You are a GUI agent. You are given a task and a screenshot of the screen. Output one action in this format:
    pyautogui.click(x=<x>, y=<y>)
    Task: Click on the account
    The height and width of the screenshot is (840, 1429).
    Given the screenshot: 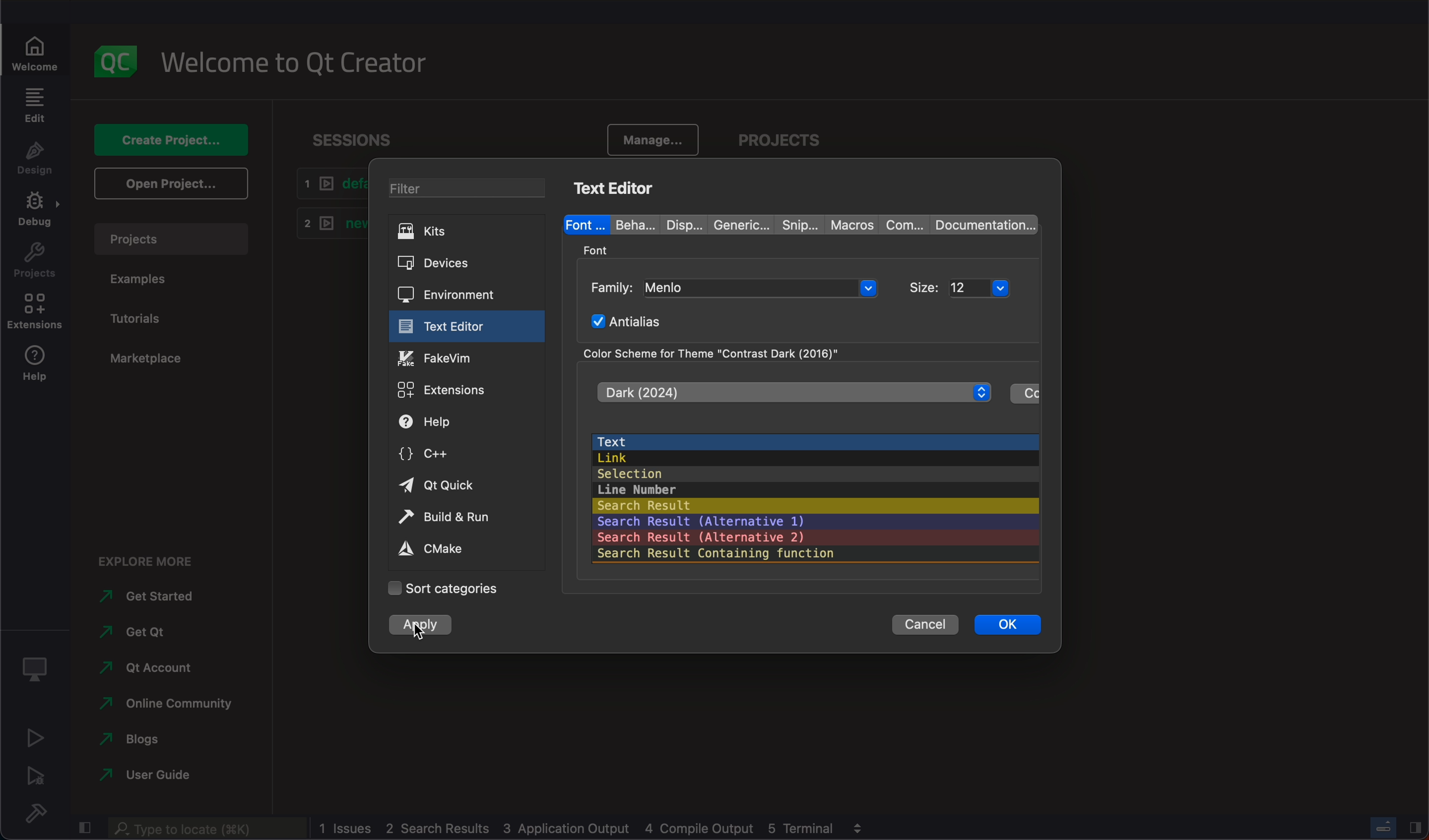 What is the action you would take?
    pyautogui.click(x=150, y=669)
    